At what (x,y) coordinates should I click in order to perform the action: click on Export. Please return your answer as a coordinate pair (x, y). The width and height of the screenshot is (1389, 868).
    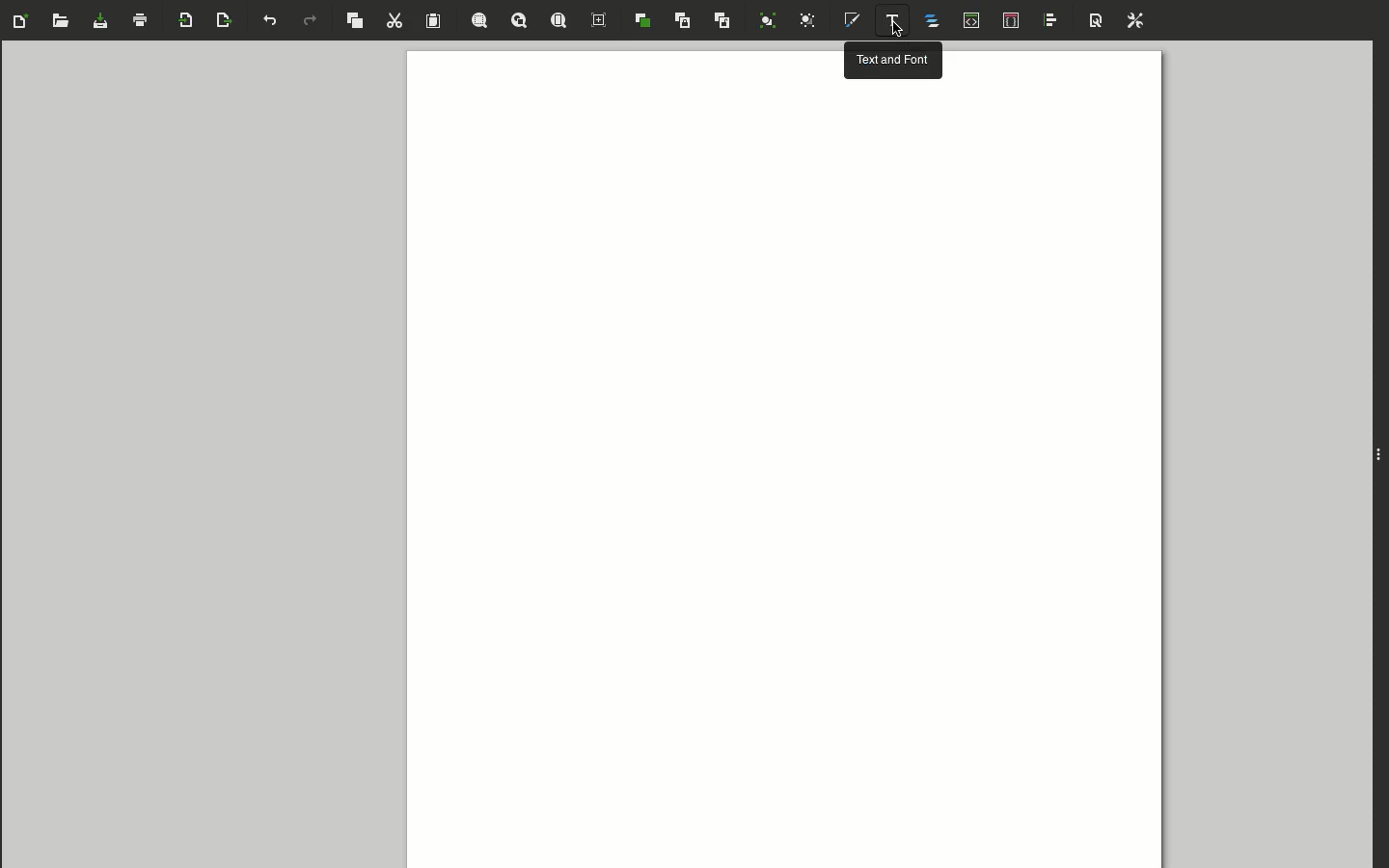
    Looking at the image, I should click on (226, 21).